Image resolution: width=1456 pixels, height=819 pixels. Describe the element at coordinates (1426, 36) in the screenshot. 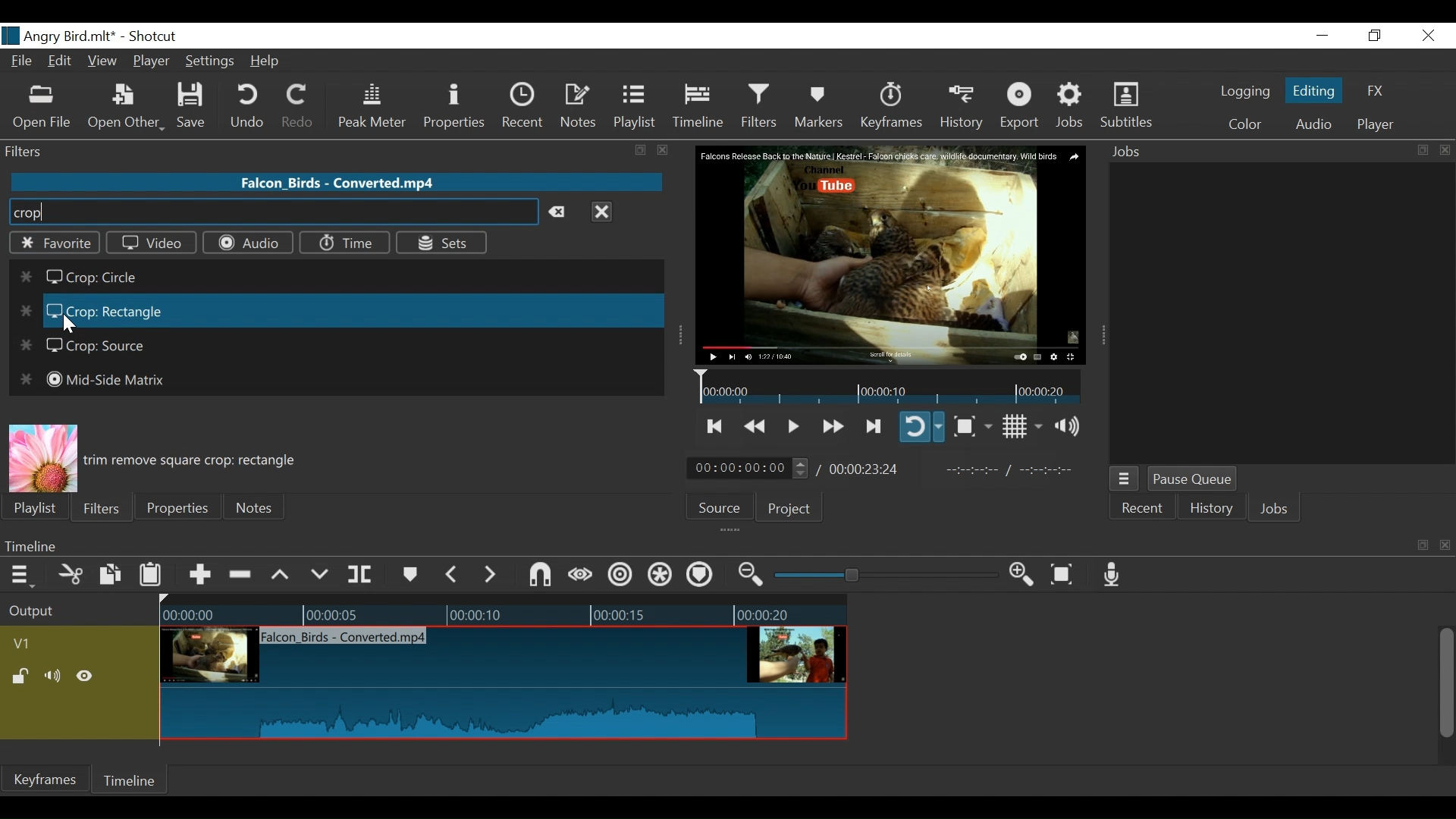

I see `Close` at that location.